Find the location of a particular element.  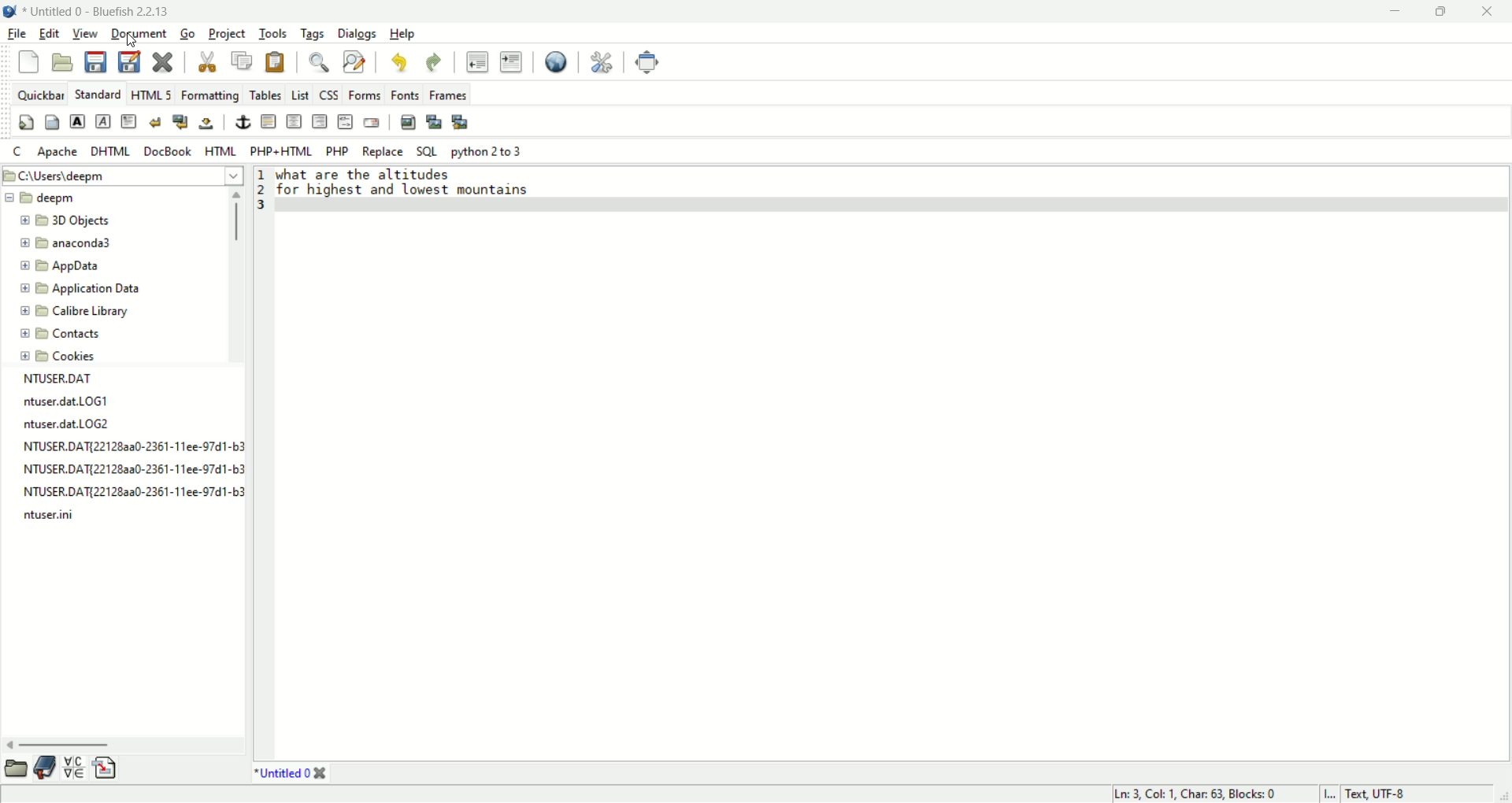

right justify is located at coordinates (320, 122).